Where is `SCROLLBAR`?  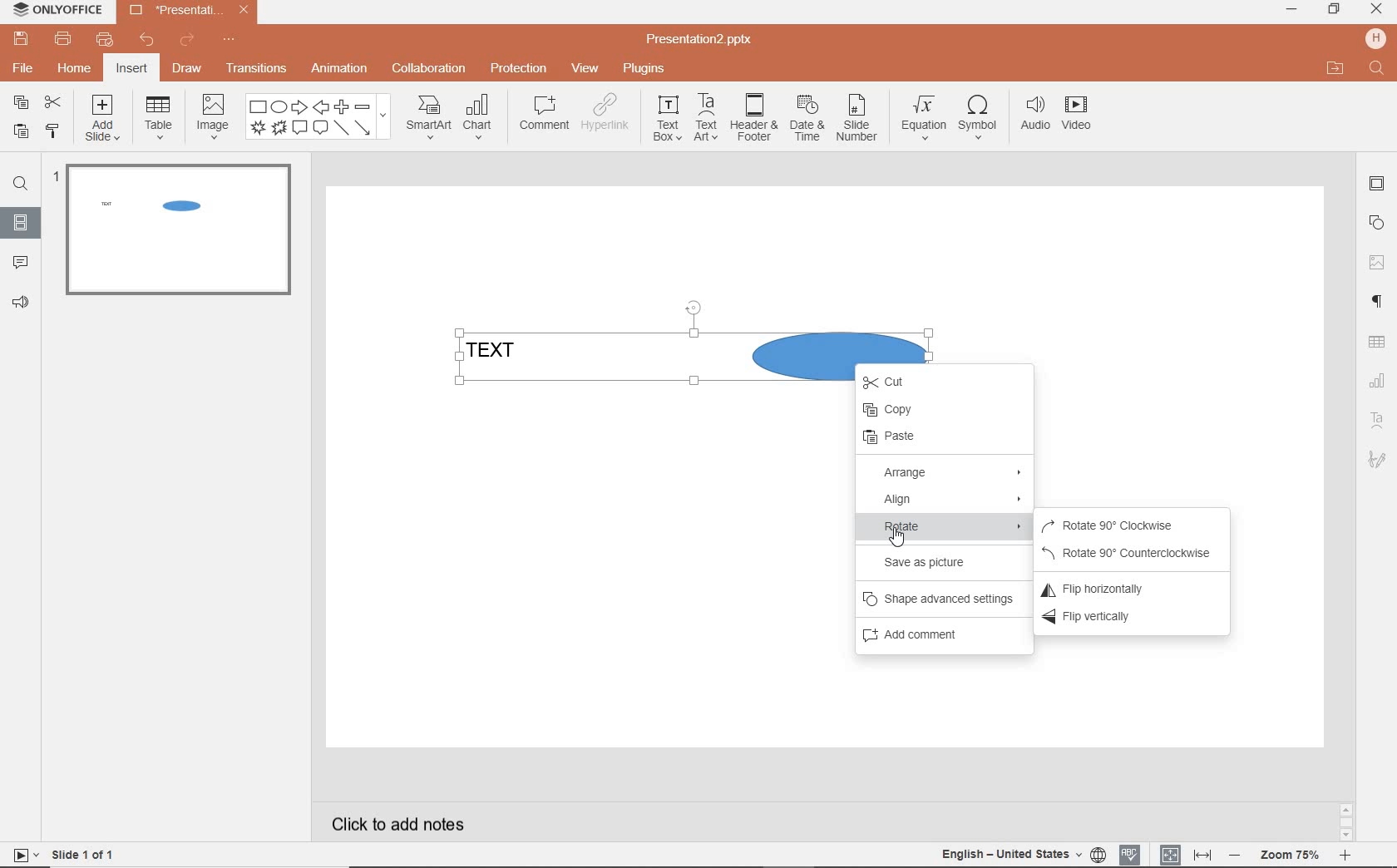 SCROLLBAR is located at coordinates (1346, 821).